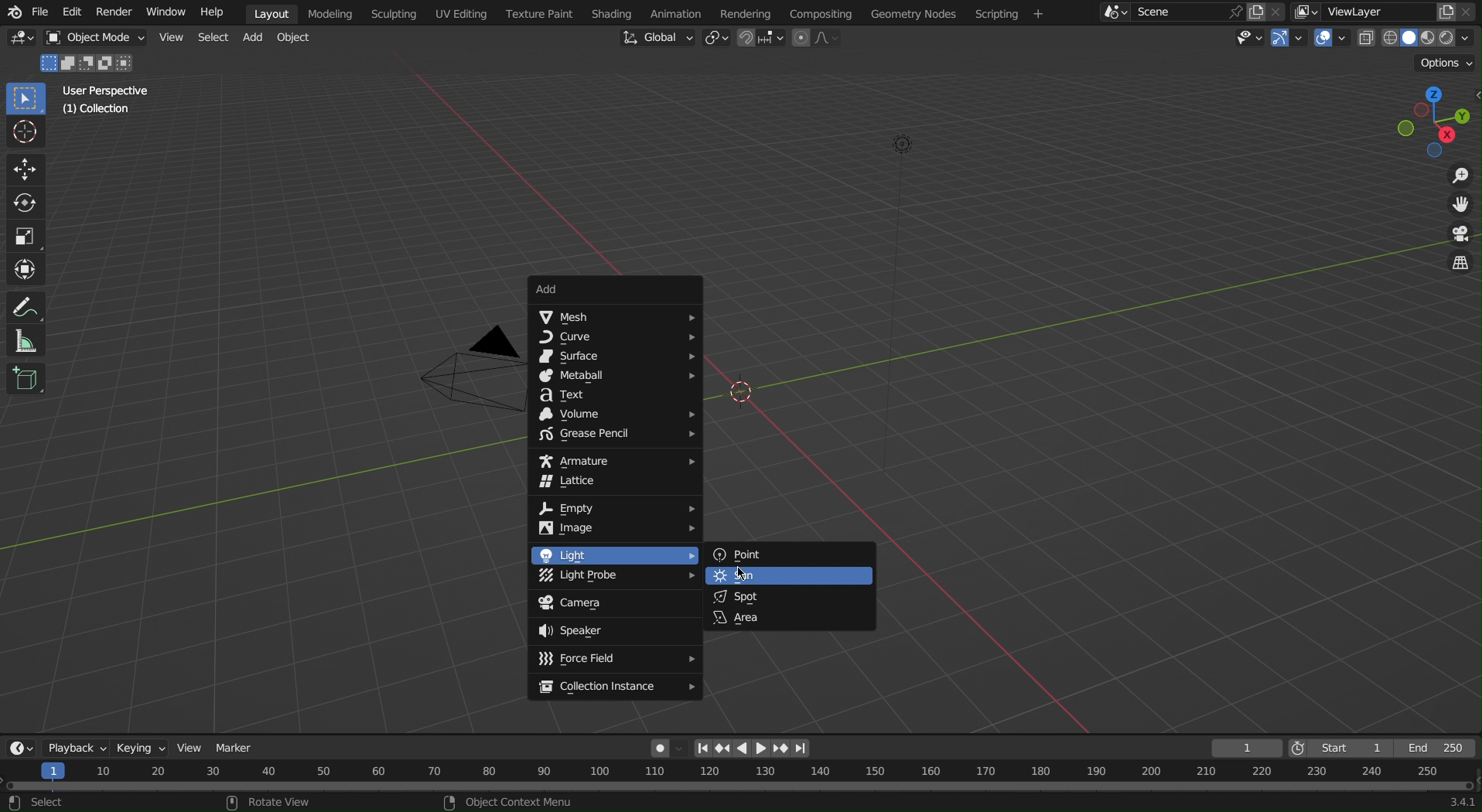 The width and height of the screenshot is (1482, 812). Describe the element at coordinates (145, 745) in the screenshot. I see `Keying` at that location.